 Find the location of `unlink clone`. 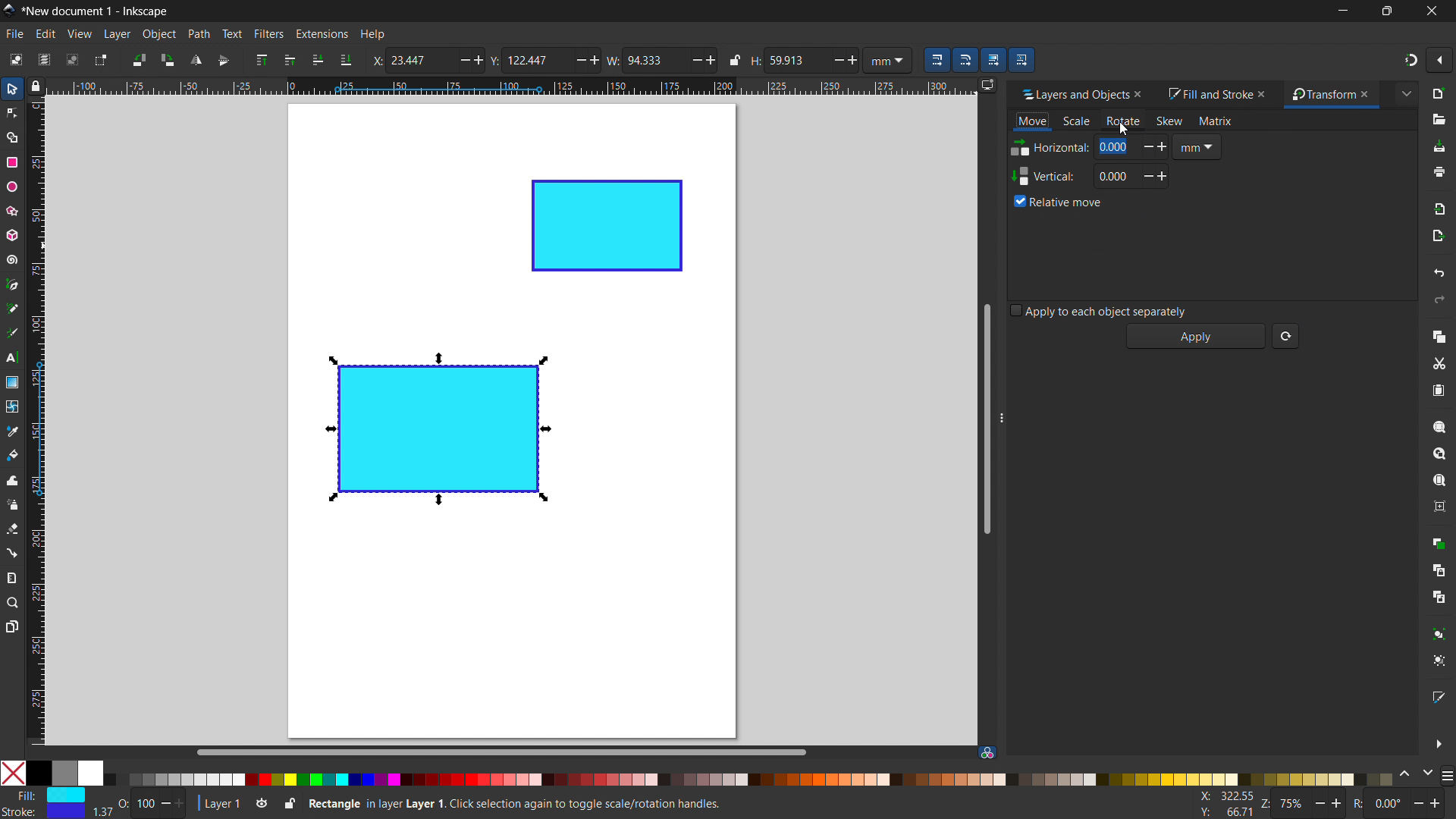

unlink clone is located at coordinates (1439, 597).